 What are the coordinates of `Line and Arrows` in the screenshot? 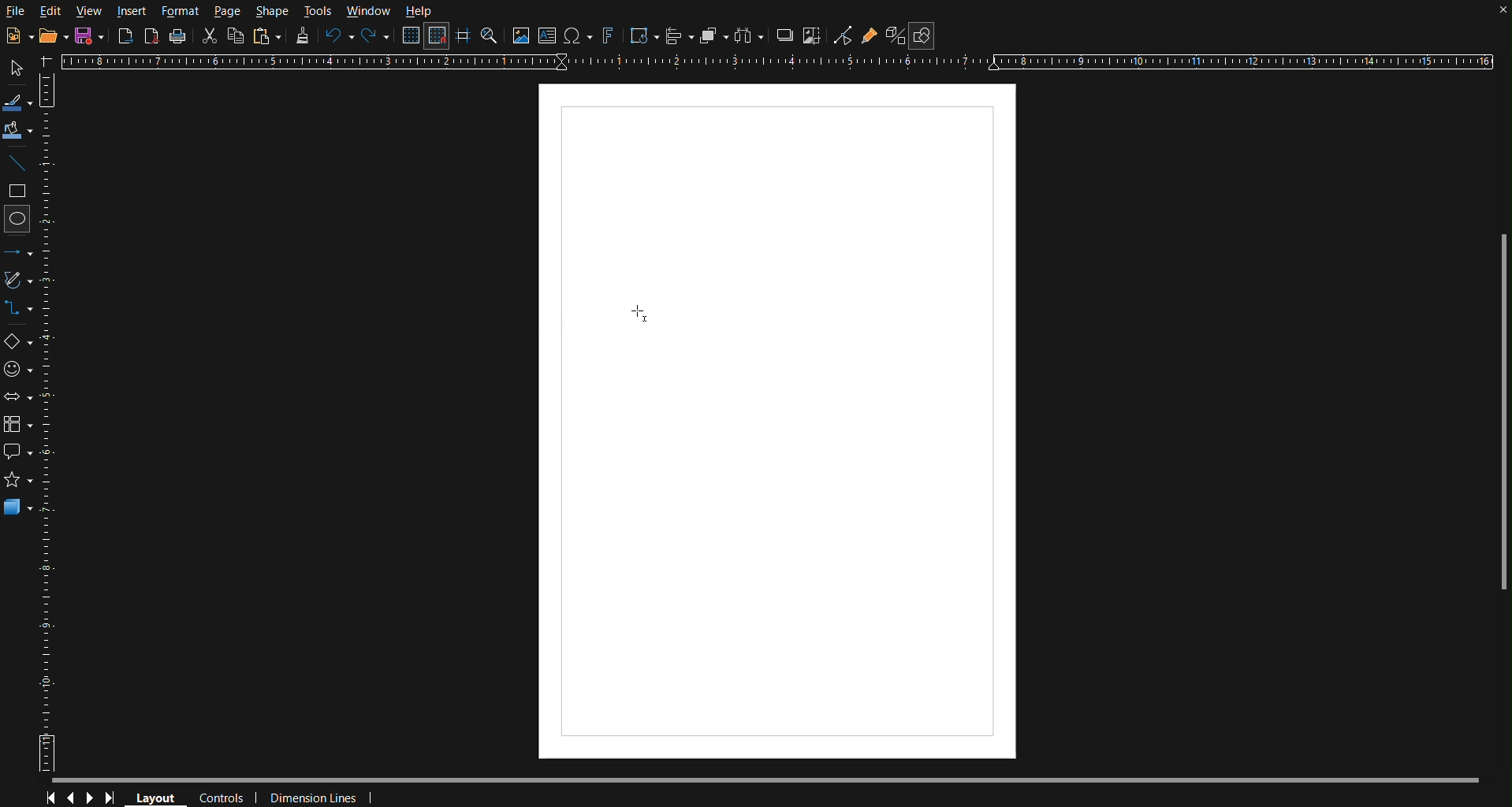 It's located at (18, 252).